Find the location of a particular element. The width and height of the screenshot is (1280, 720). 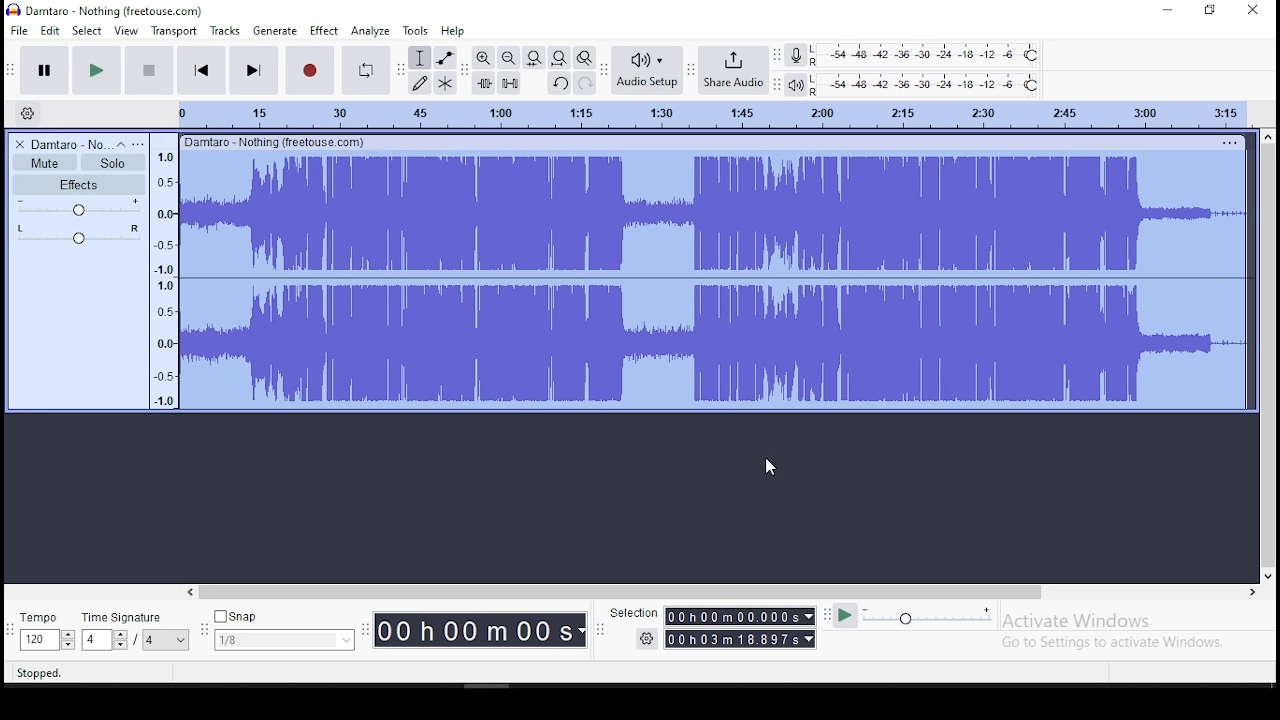

share audio is located at coordinates (734, 68).